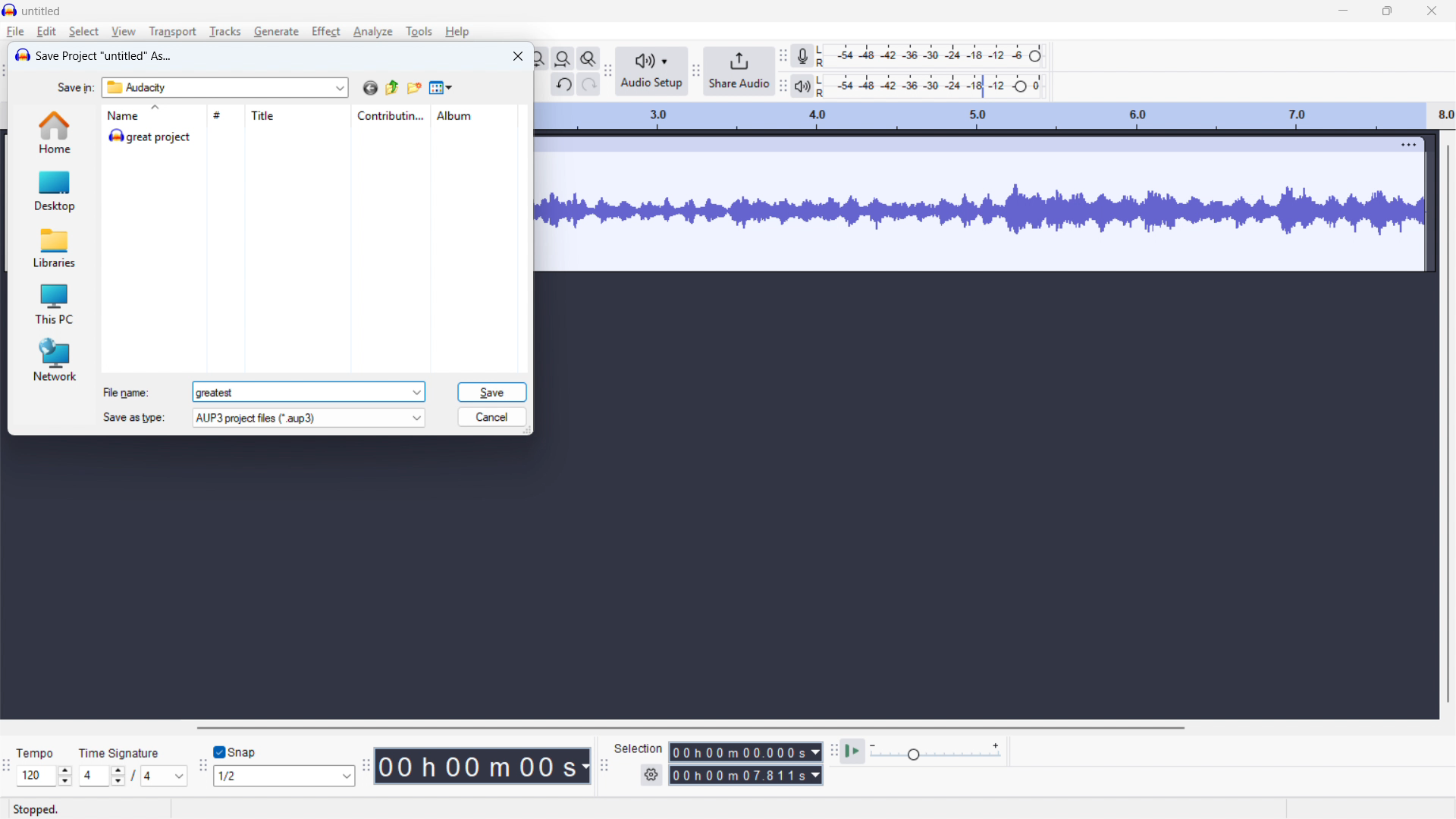 This screenshot has height=819, width=1456. Describe the element at coordinates (224, 32) in the screenshot. I see `tracks` at that location.